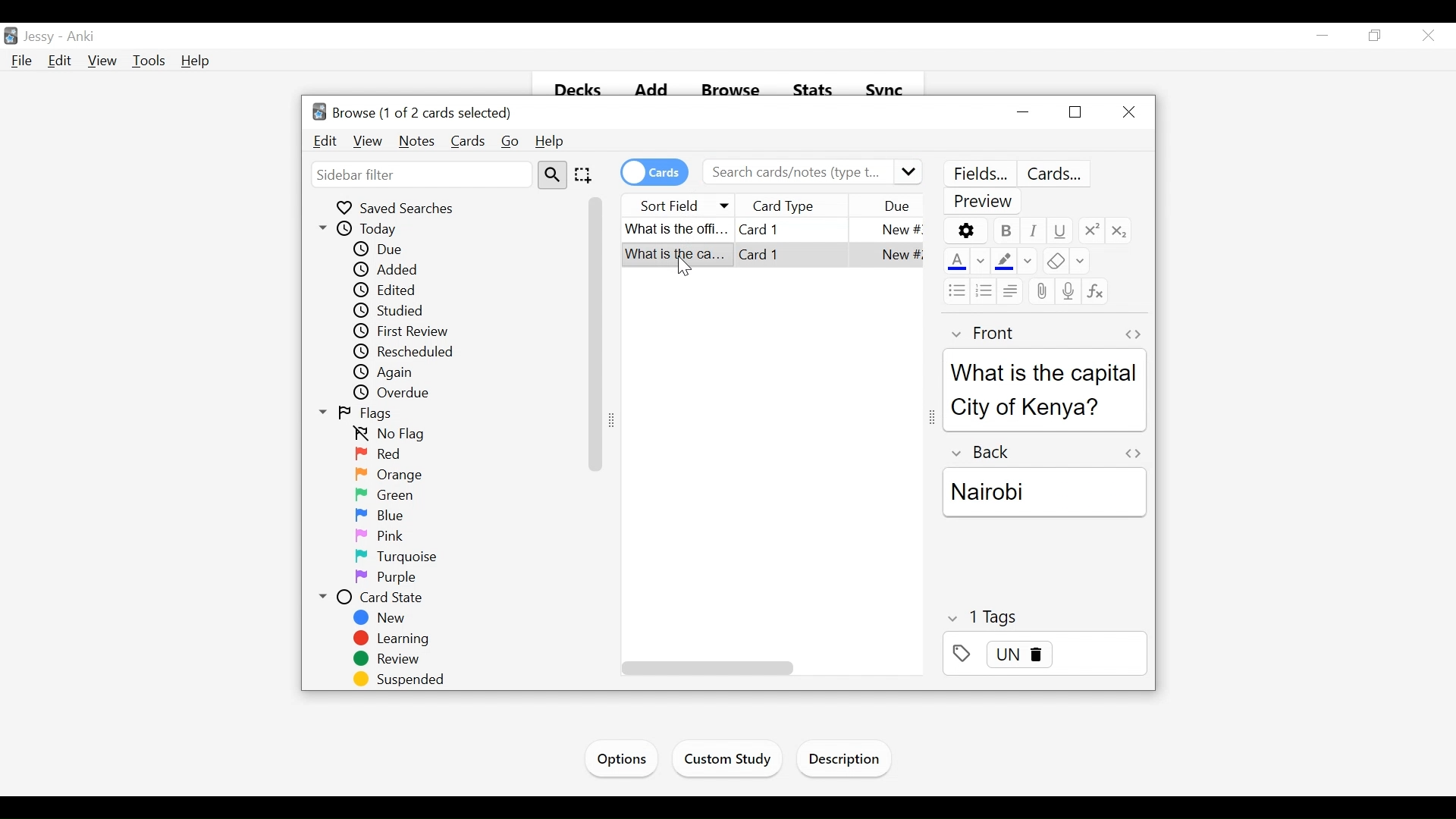  What do you see at coordinates (1044, 406) in the screenshot?
I see `Front Field` at bounding box center [1044, 406].